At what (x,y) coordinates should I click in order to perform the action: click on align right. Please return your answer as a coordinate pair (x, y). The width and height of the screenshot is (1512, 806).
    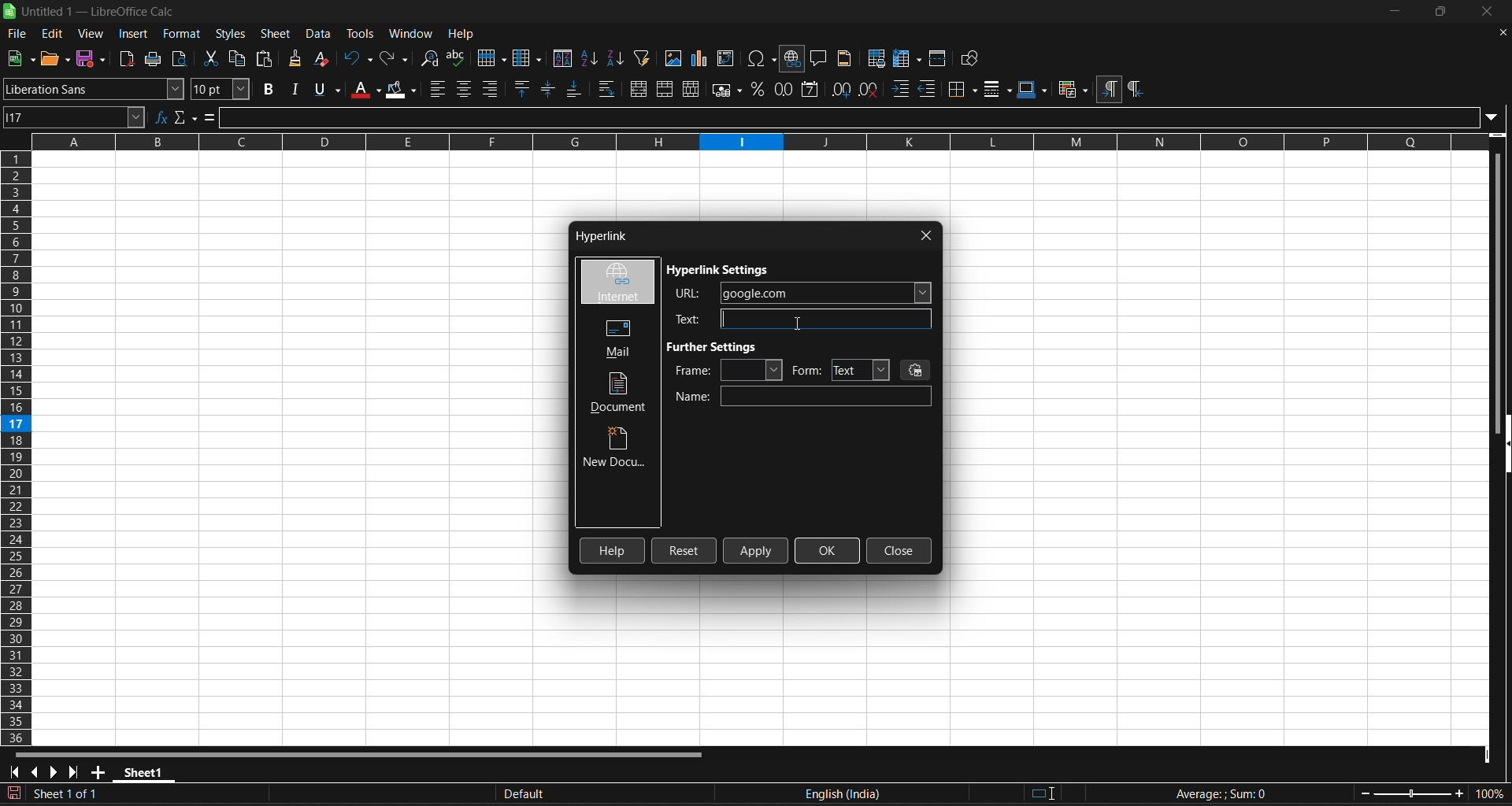
    Looking at the image, I should click on (491, 89).